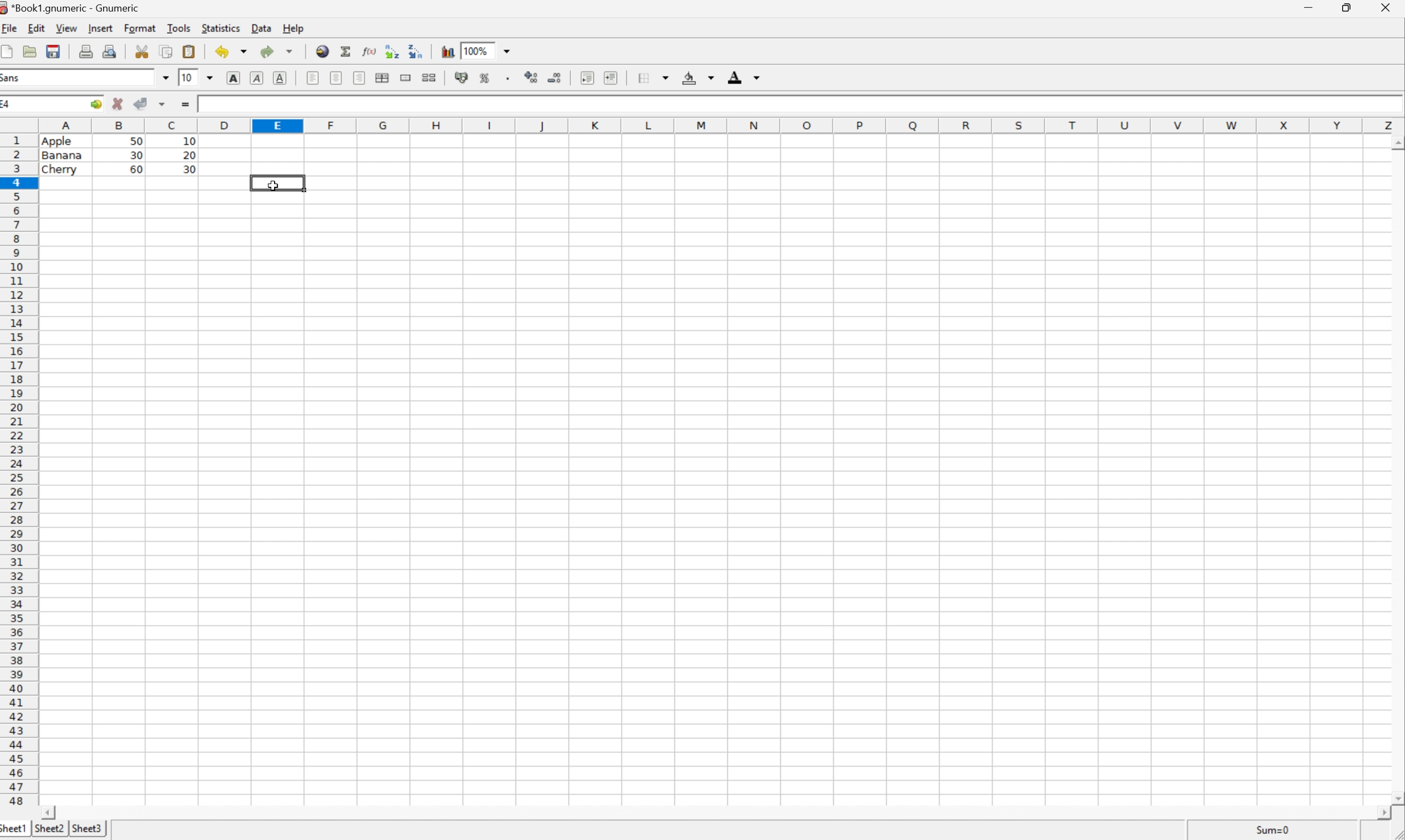 The image size is (1405, 840). What do you see at coordinates (10, 104) in the screenshot?
I see `E4` at bounding box center [10, 104].